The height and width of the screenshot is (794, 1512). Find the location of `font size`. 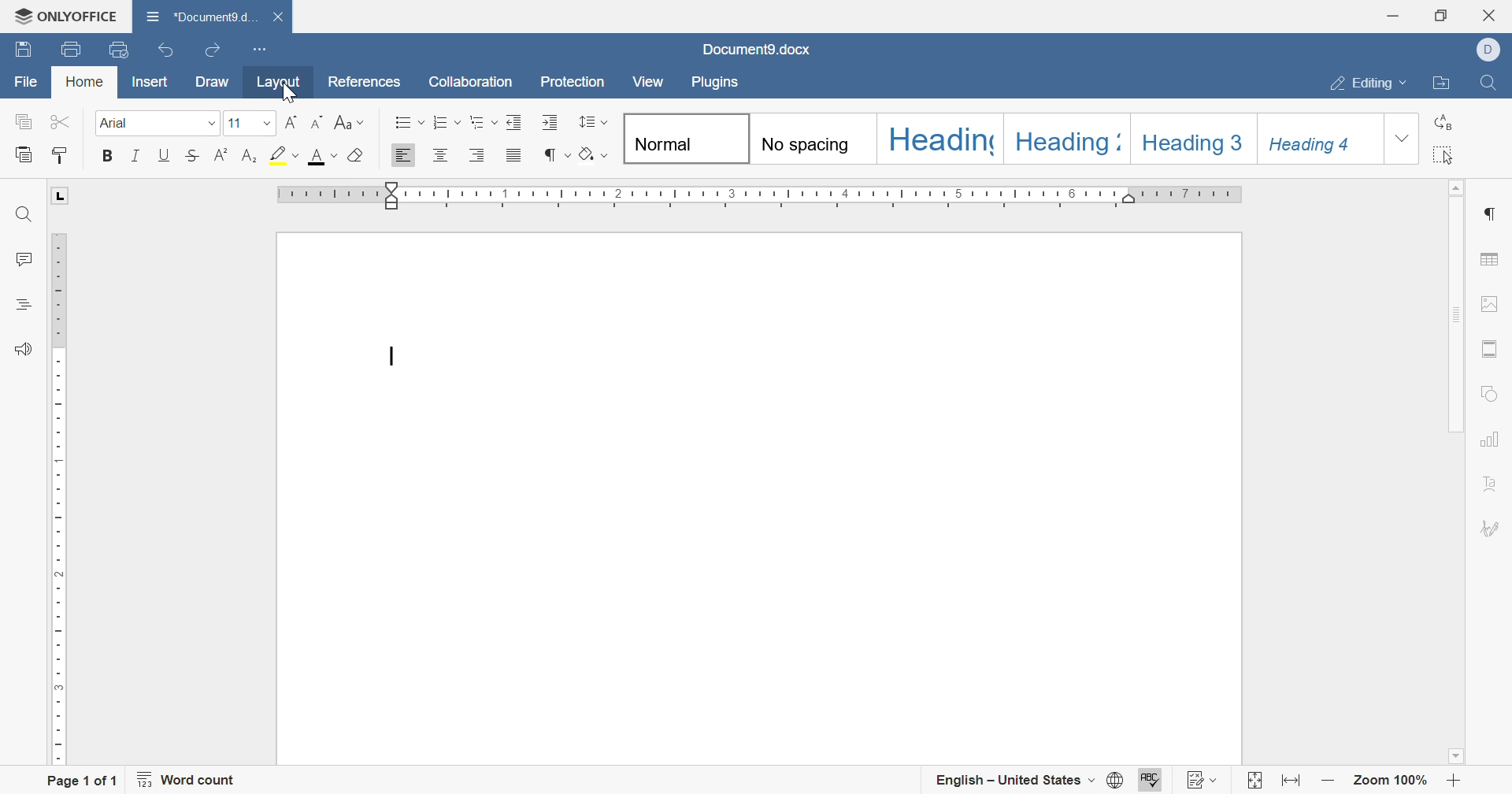

font size is located at coordinates (253, 123).